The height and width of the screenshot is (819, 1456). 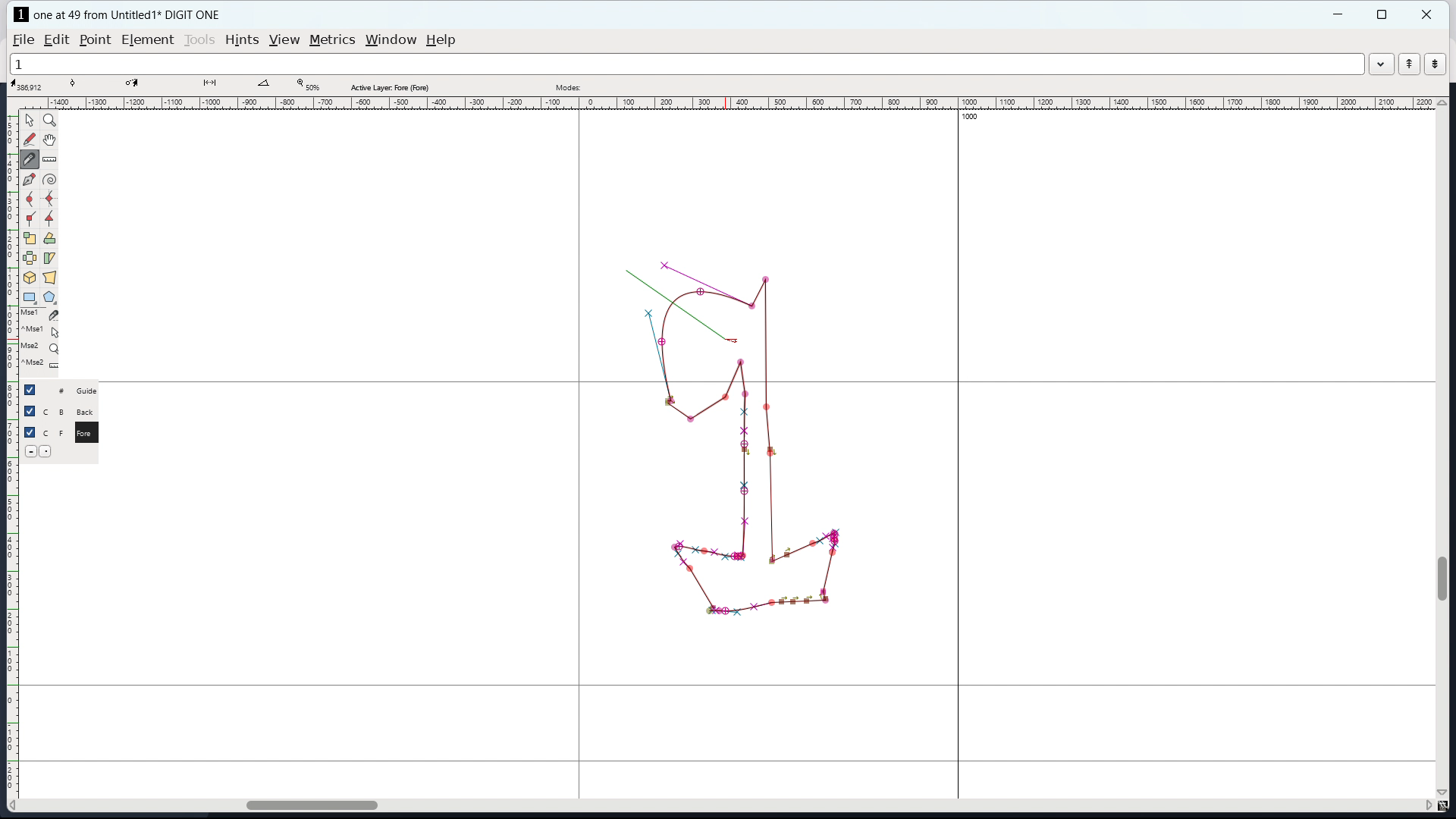 I want to click on draw a freehand curve, so click(x=30, y=140).